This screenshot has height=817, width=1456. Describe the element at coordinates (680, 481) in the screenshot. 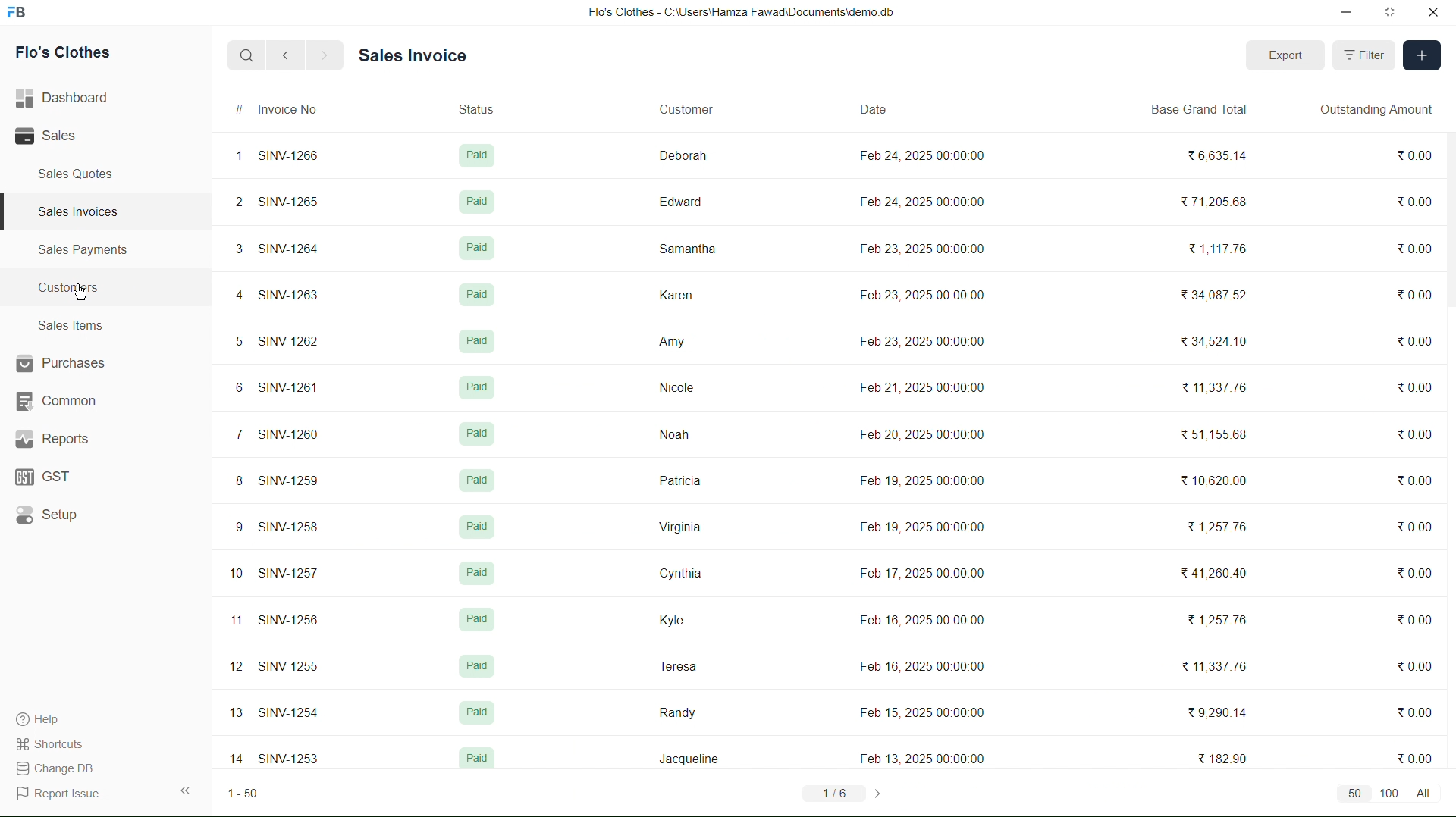

I see `Patricia` at that location.